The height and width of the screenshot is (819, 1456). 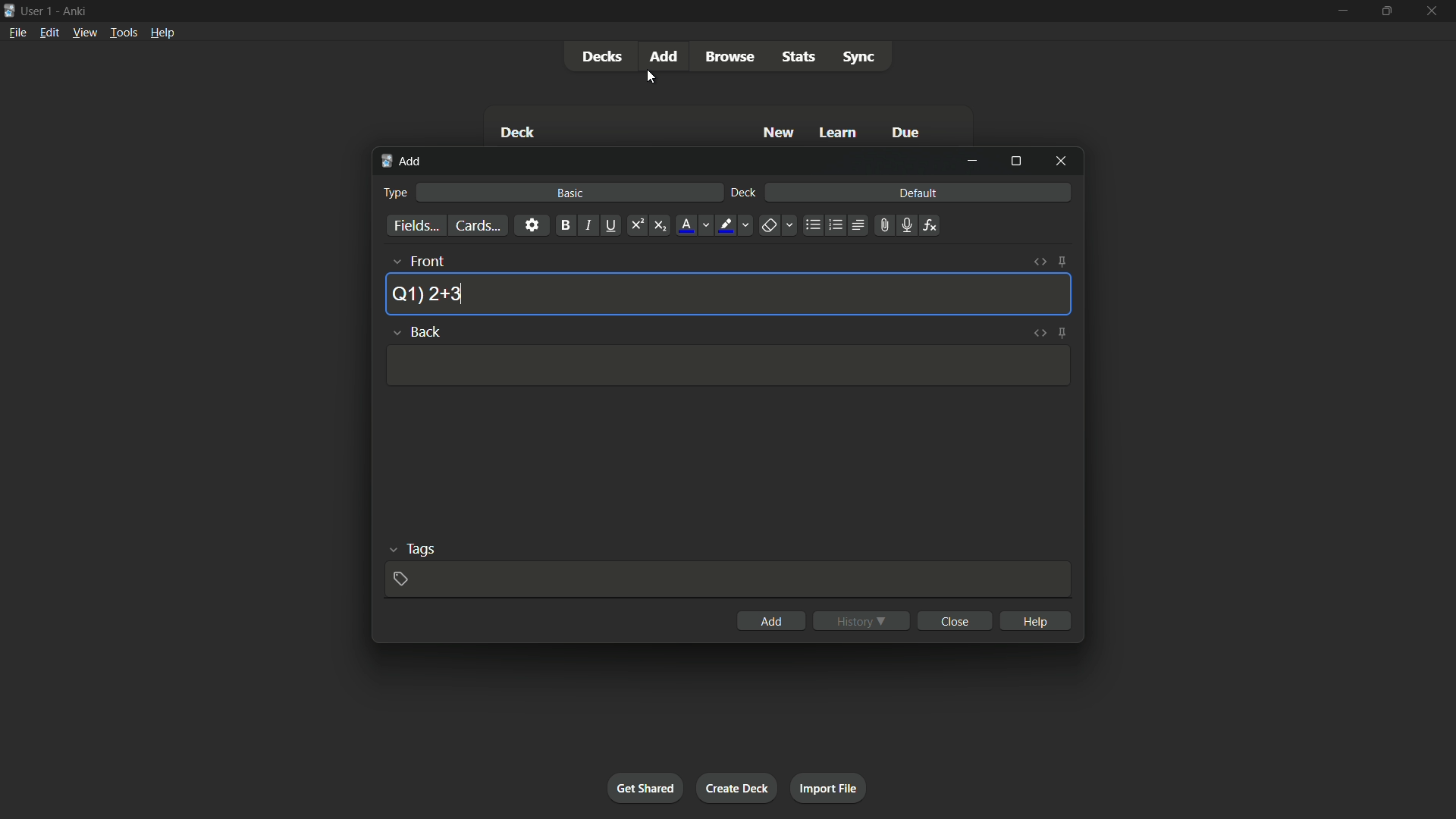 I want to click on ordered list, so click(x=836, y=225).